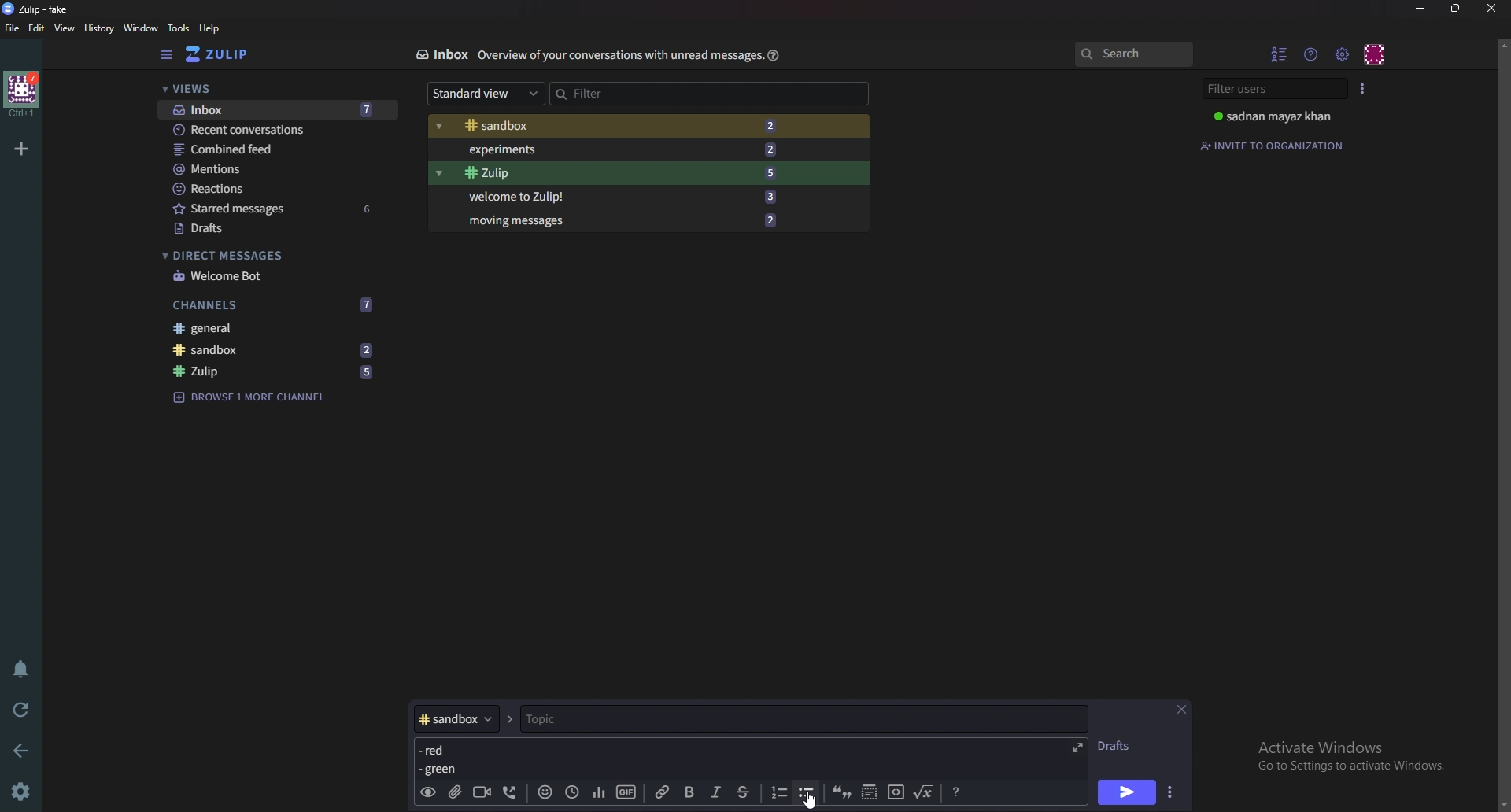 This screenshot has width=1511, height=812. Describe the element at coordinates (274, 305) in the screenshot. I see `Channels` at that location.